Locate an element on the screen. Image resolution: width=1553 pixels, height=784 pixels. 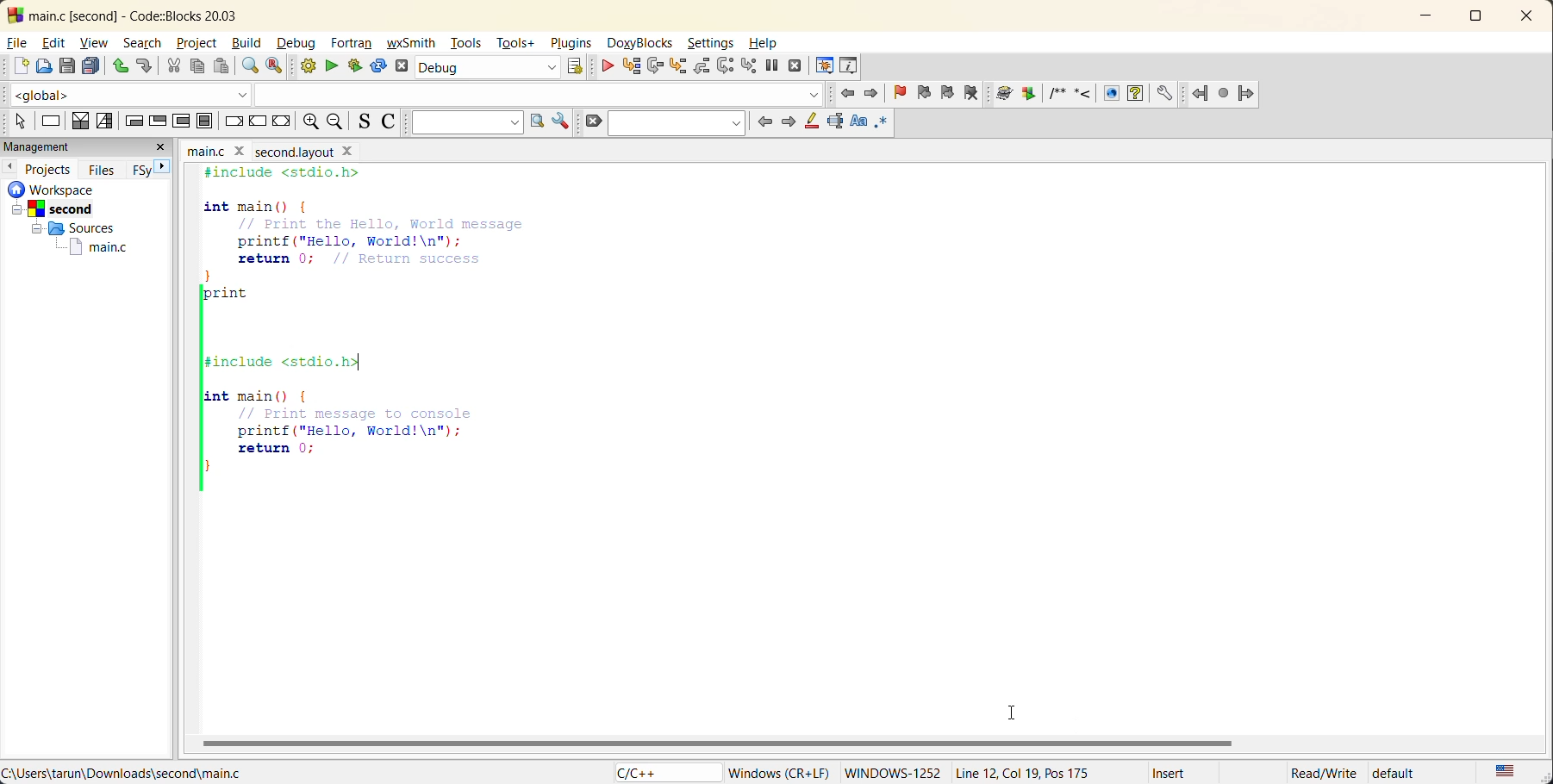
file name is located at coordinates (219, 149).